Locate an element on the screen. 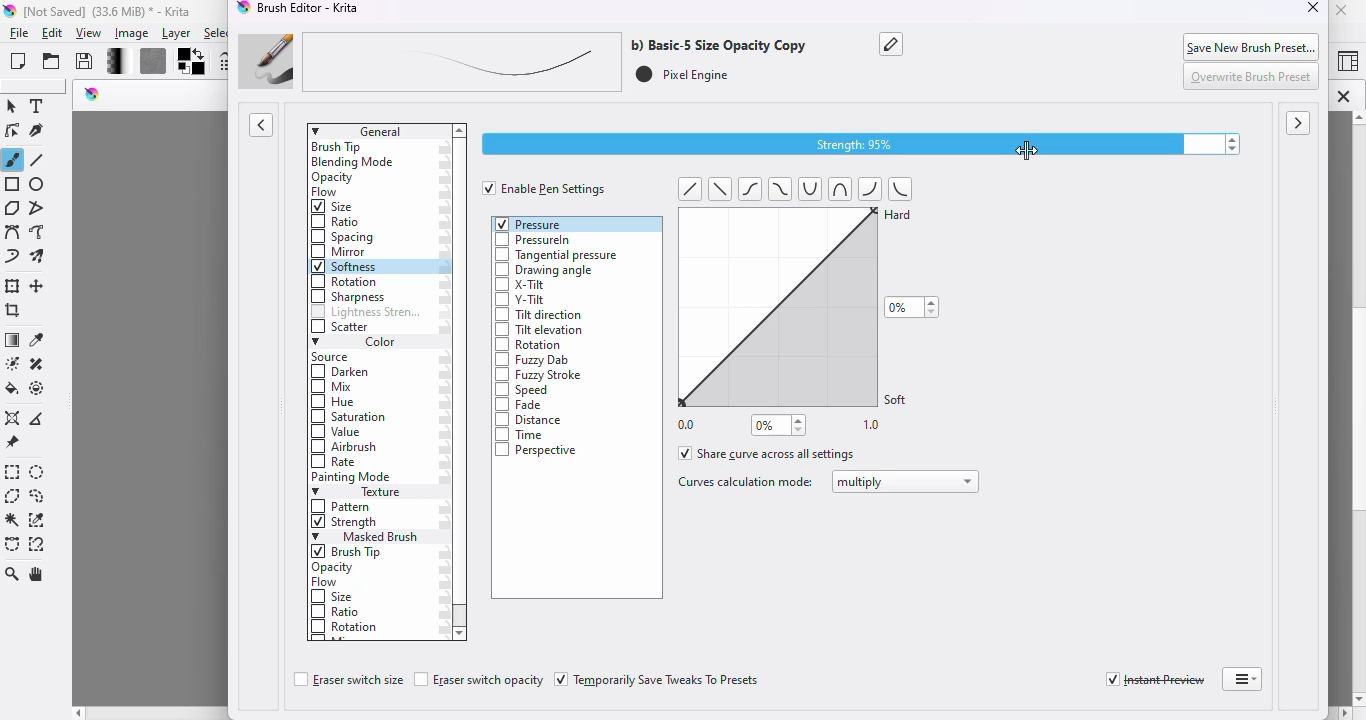  0%  is located at coordinates (912, 307).